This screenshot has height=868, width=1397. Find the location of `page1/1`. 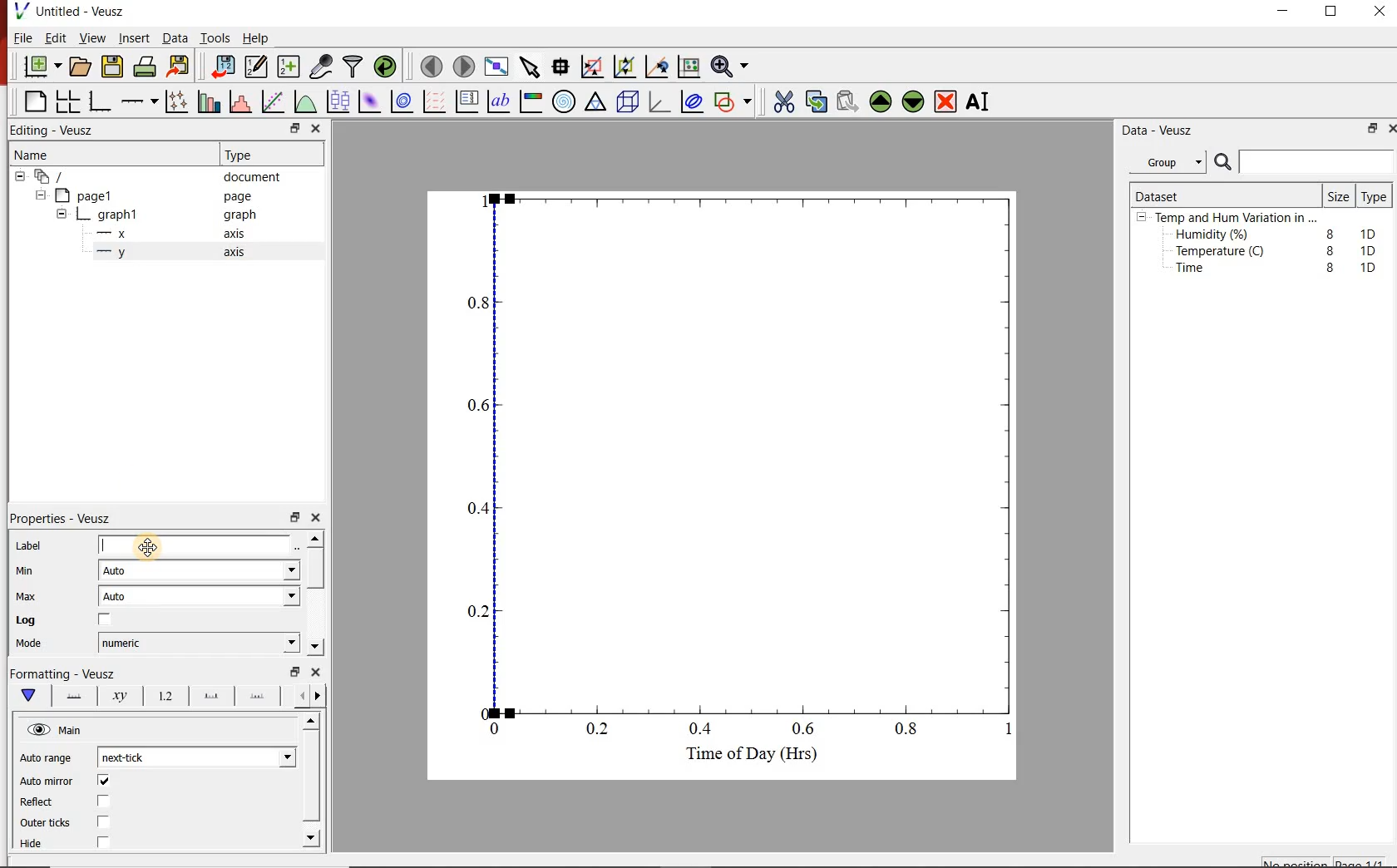

page1/1 is located at coordinates (1365, 861).